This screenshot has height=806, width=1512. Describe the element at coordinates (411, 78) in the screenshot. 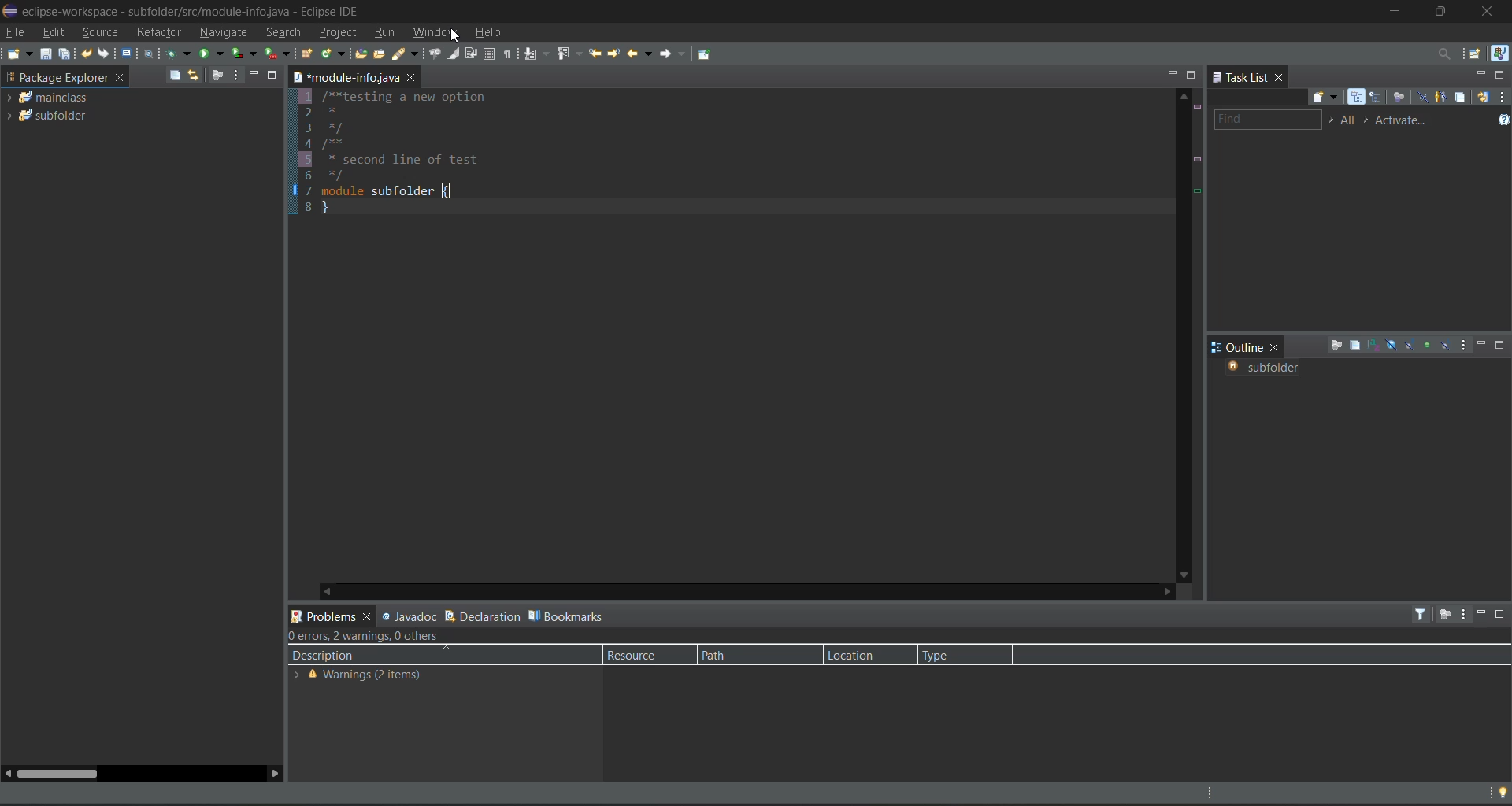

I see `close` at that location.